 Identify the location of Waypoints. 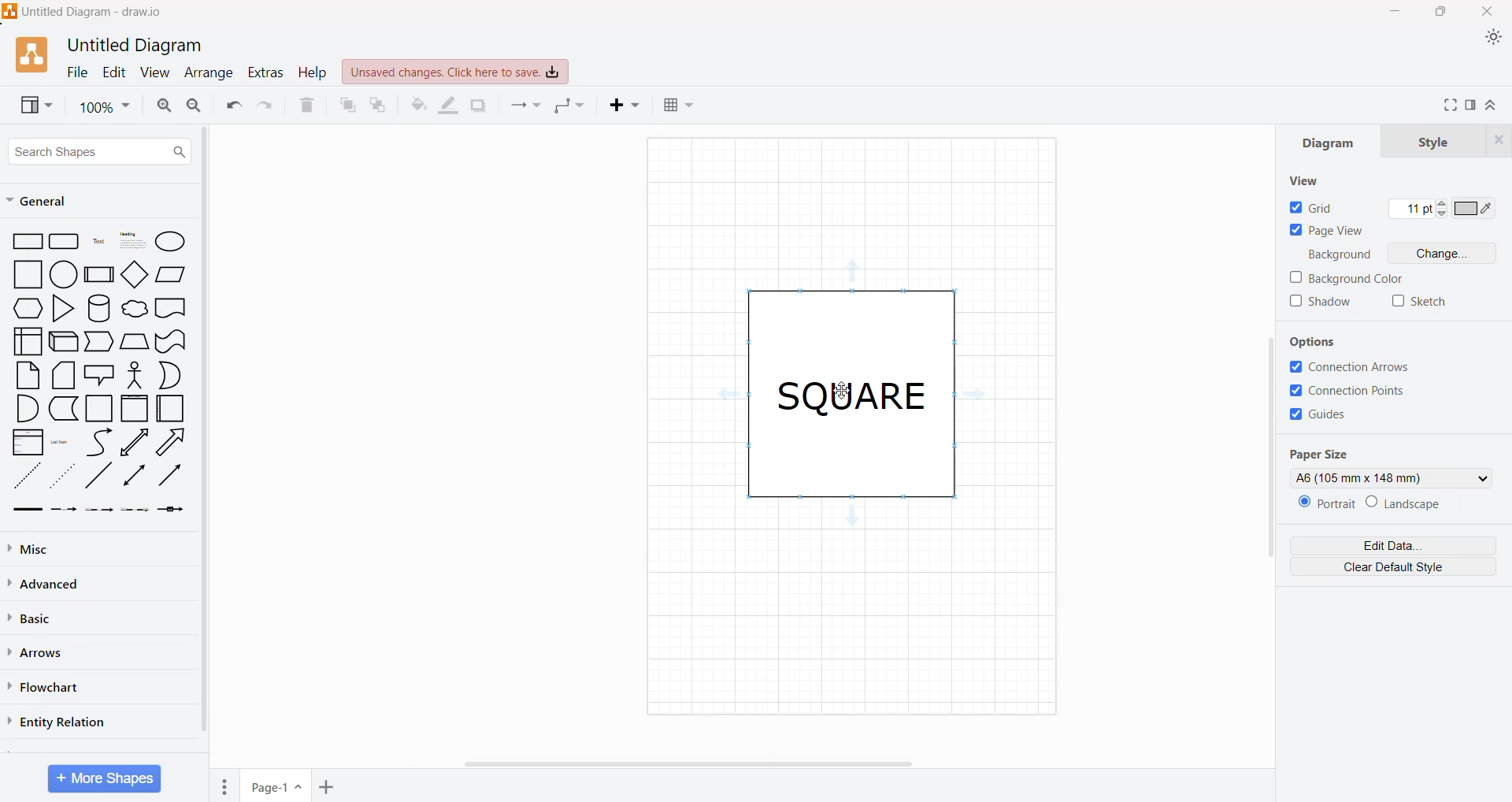
(569, 106).